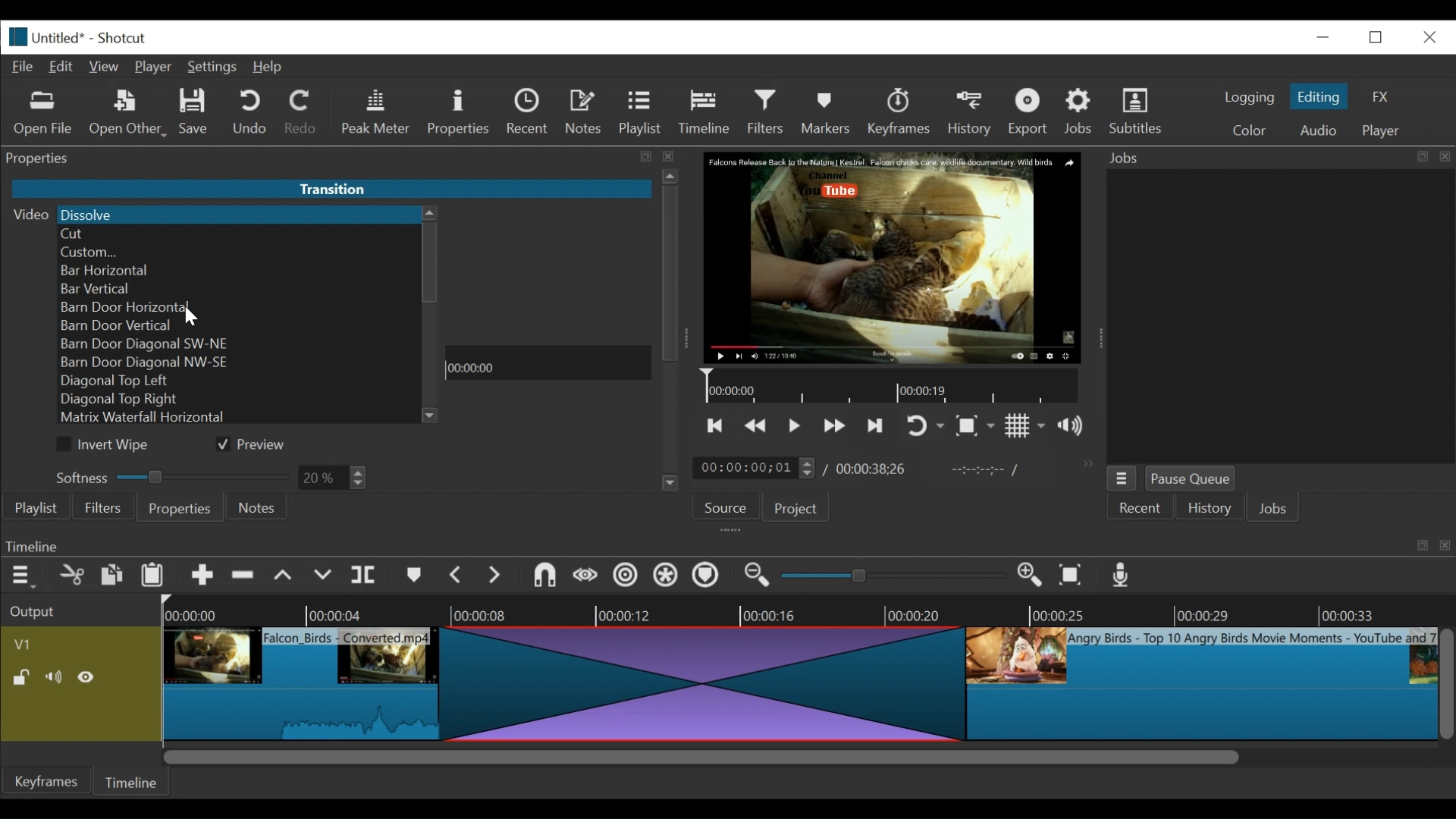  I want to click on Playlist, so click(641, 114).